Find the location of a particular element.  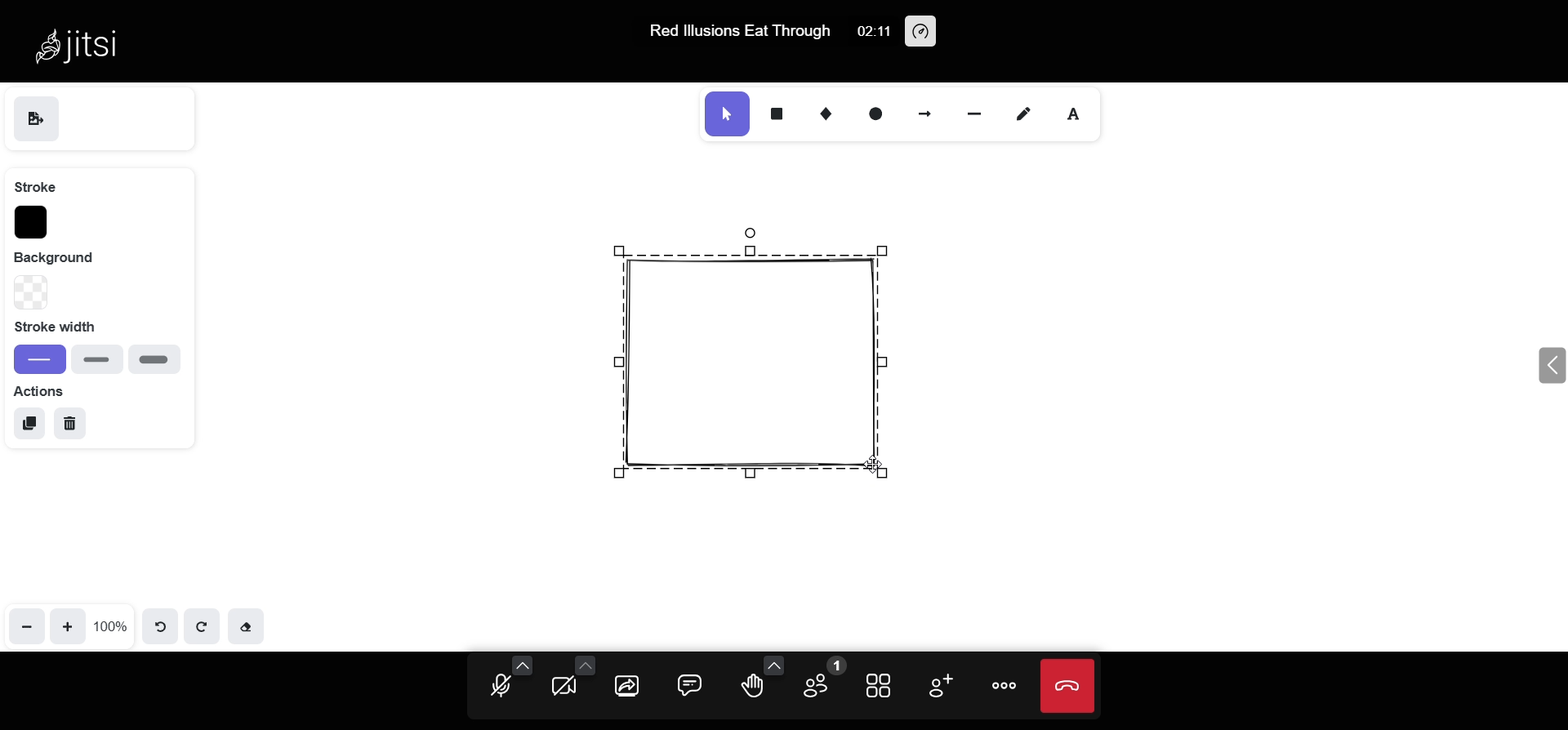

chat is located at coordinates (690, 683).